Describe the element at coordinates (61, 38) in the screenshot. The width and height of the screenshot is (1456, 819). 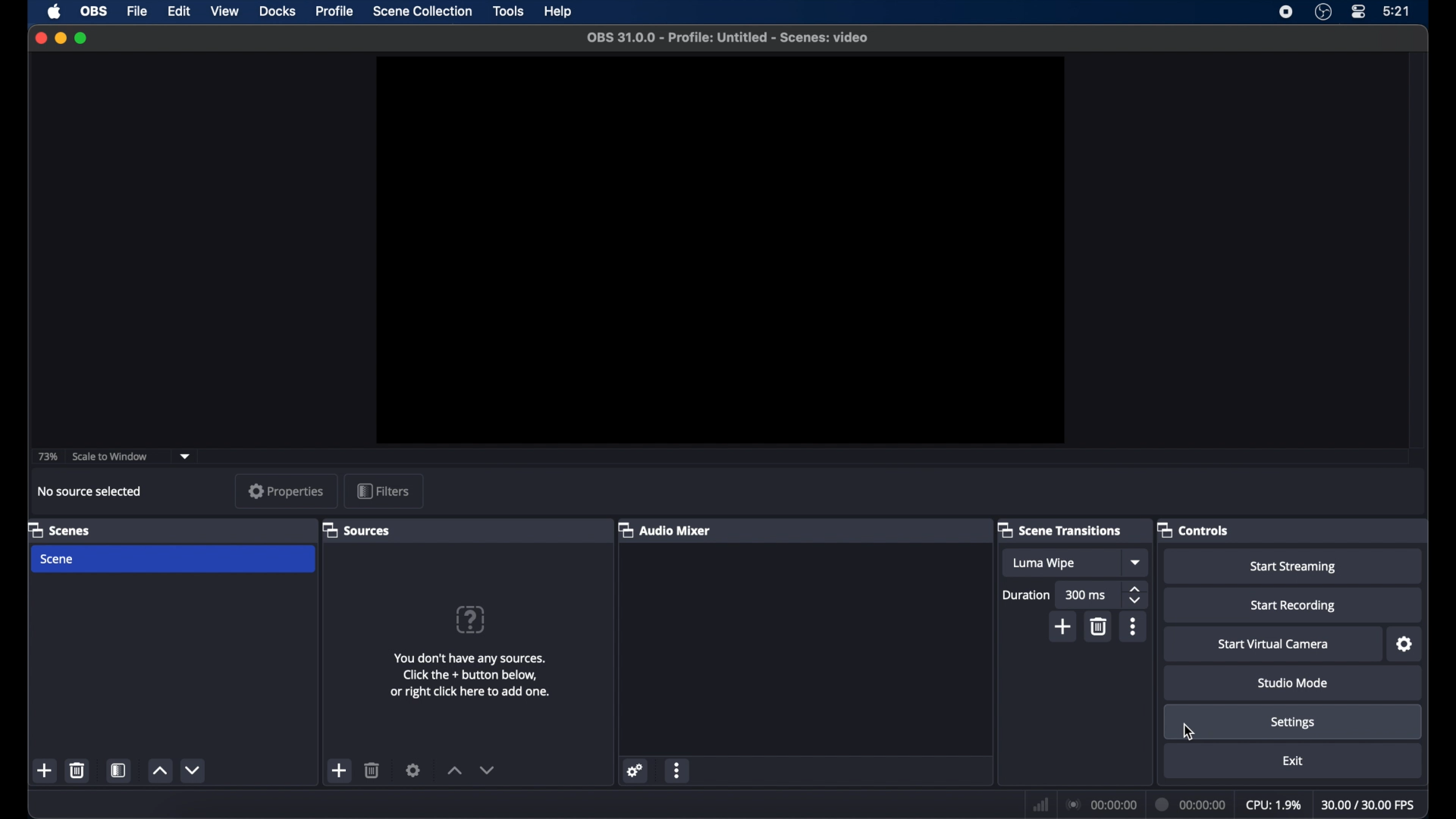
I see `minimize` at that location.